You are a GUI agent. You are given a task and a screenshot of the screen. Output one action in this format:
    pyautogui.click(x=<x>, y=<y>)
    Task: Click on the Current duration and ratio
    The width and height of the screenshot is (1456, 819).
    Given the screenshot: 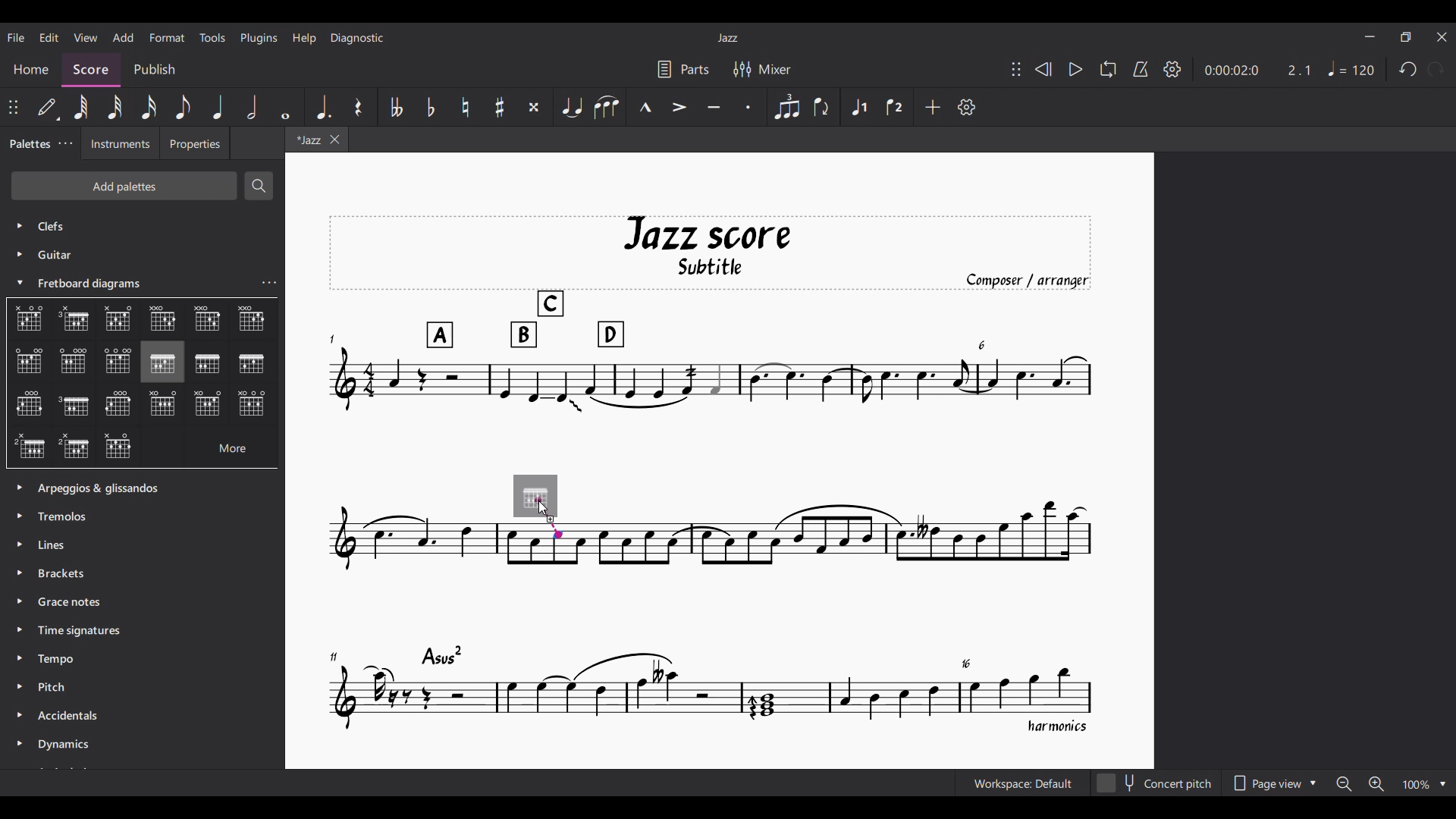 What is the action you would take?
    pyautogui.click(x=1258, y=71)
    